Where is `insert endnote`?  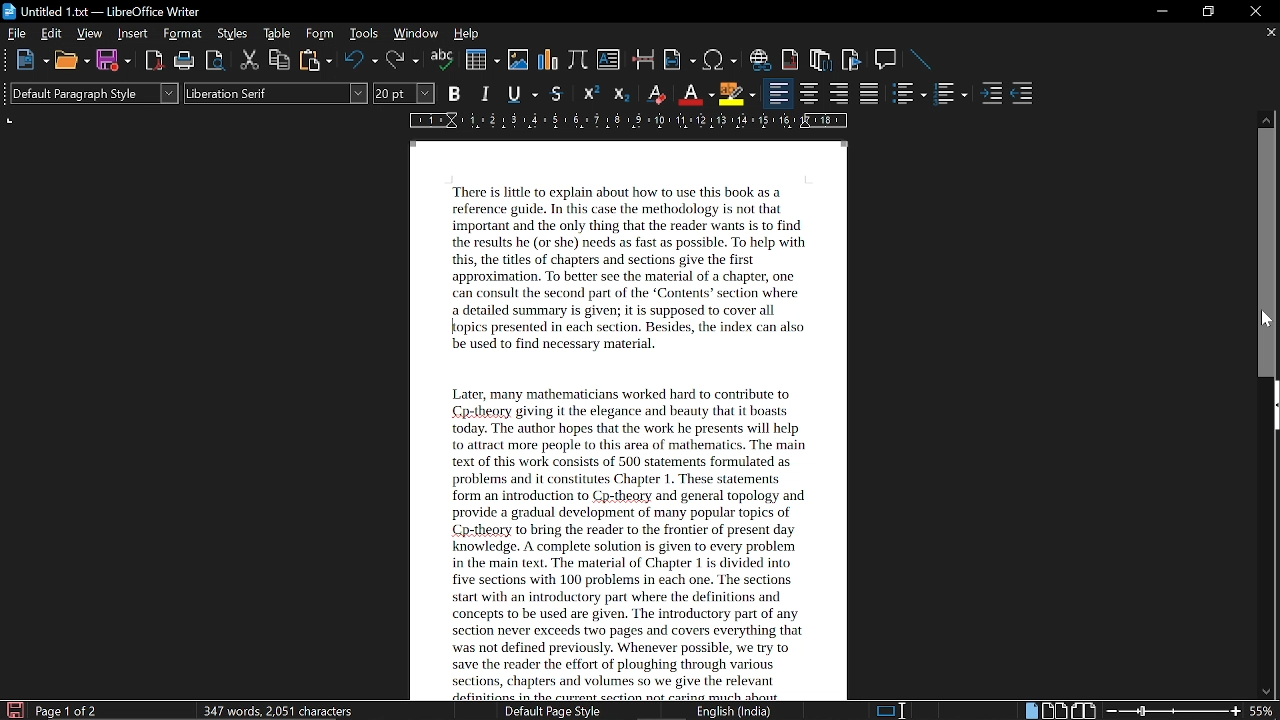 insert endnote is located at coordinates (821, 61).